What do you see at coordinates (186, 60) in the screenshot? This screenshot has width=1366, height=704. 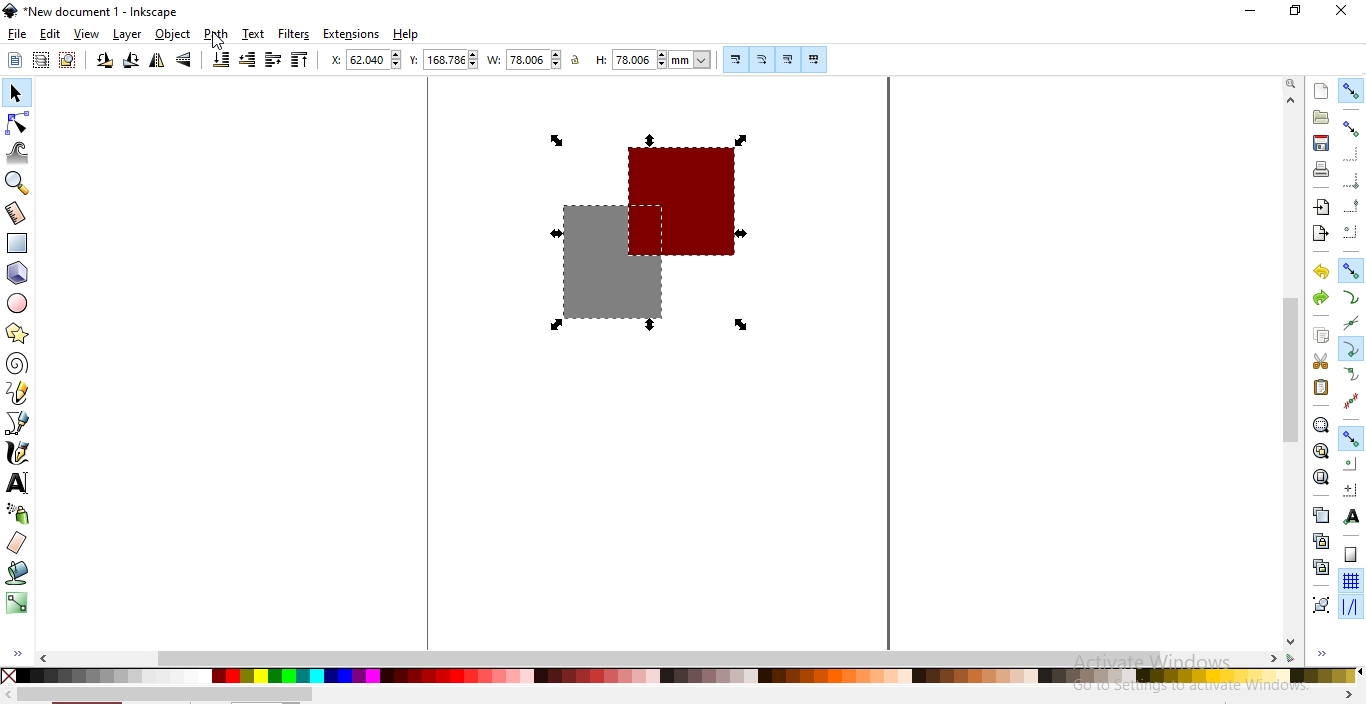 I see `flip vertical` at bounding box center [186, 60].